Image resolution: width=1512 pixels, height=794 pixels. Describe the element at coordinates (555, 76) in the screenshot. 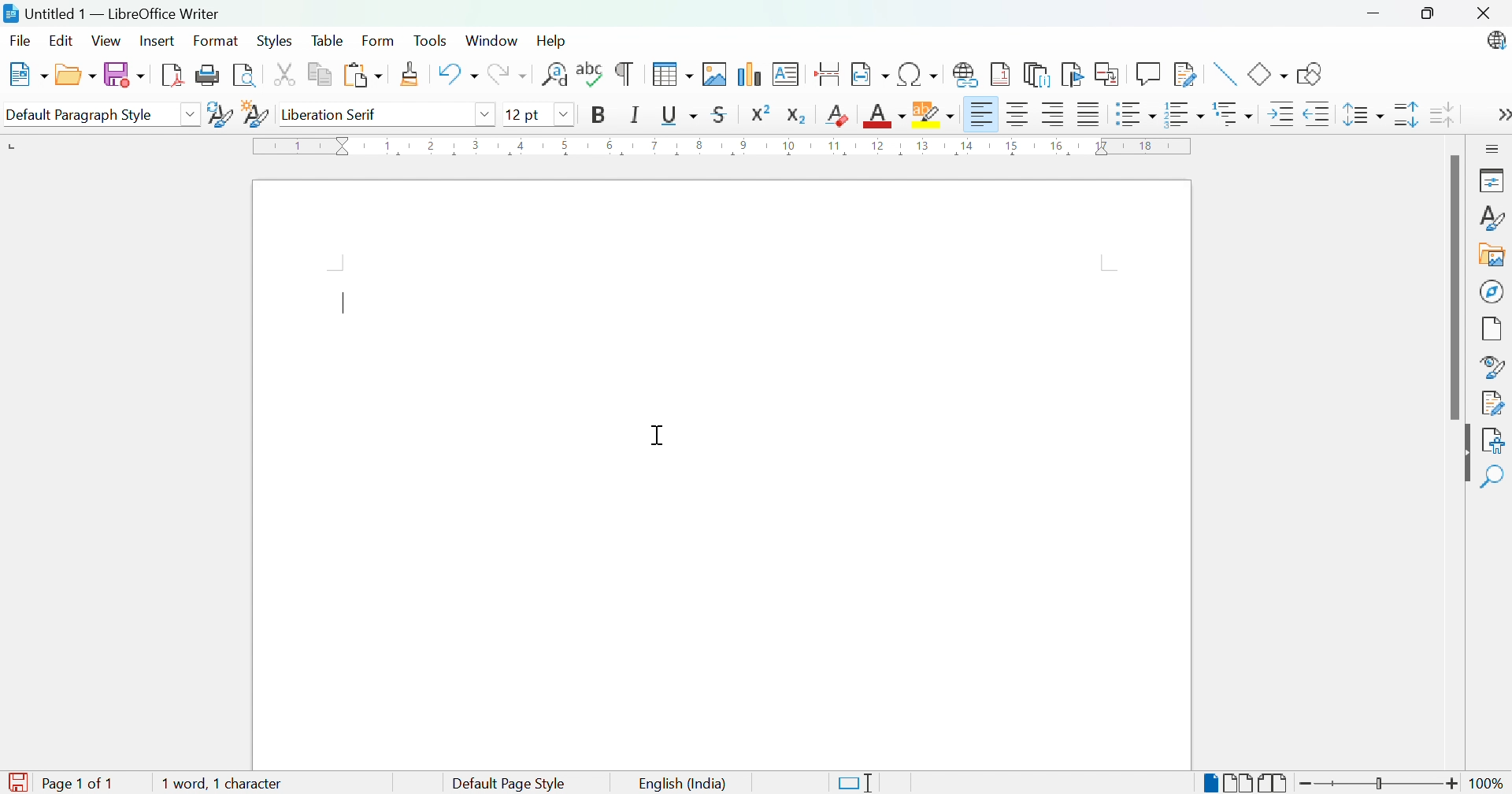

I see `Find and replace` at that location.